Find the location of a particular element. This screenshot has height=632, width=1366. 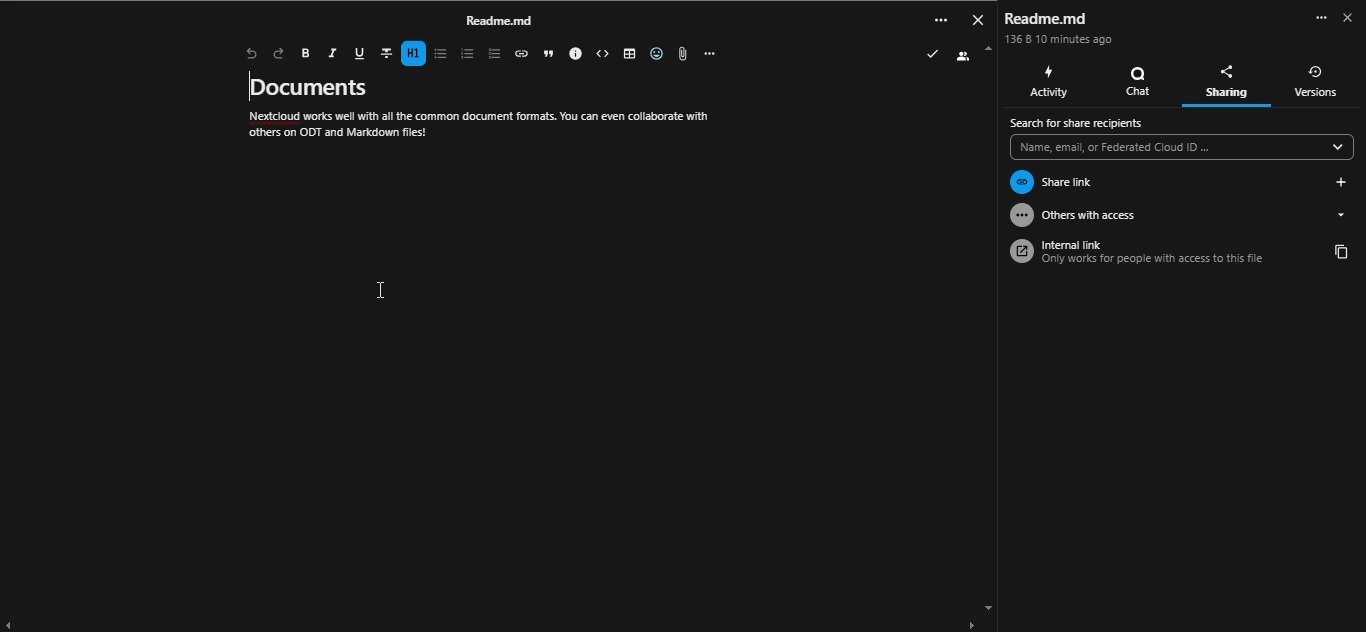

H1 is located at coordinates (413, 53).